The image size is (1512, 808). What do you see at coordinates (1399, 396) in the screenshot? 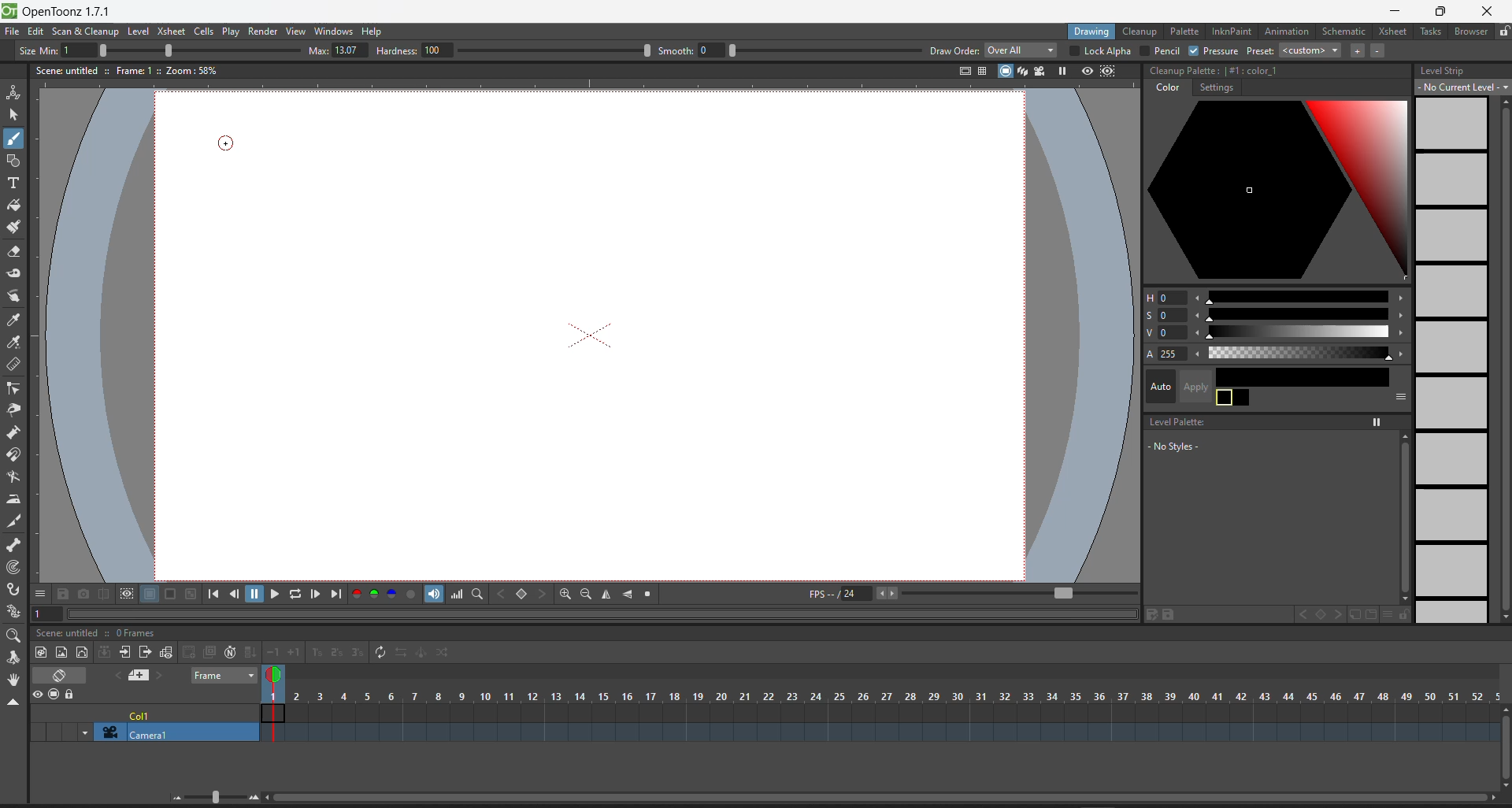
I see `show or hide parts of color page` at bounding box center [1399, 396].